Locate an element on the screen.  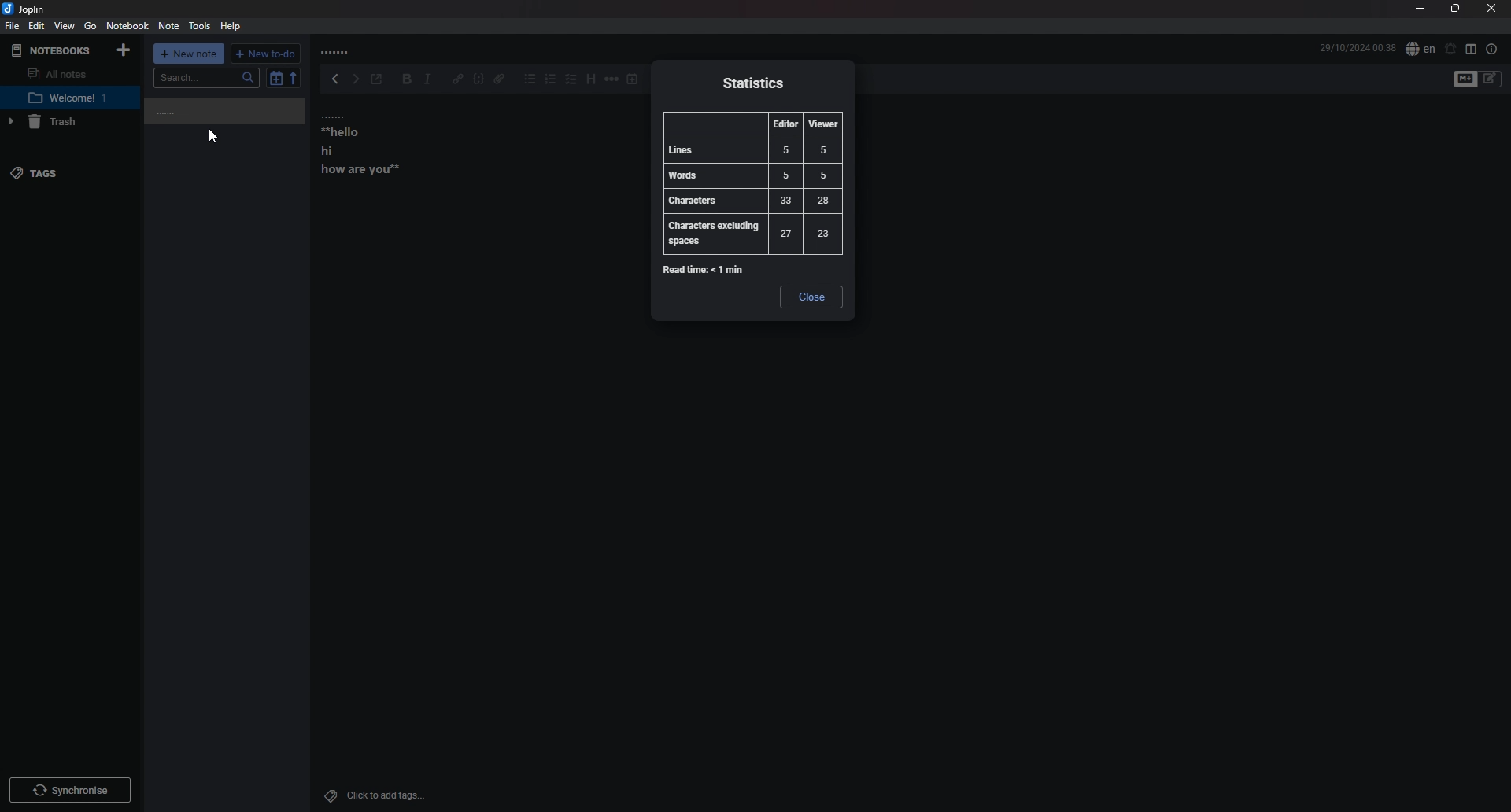
Italic is located at coordinates (429, 80).